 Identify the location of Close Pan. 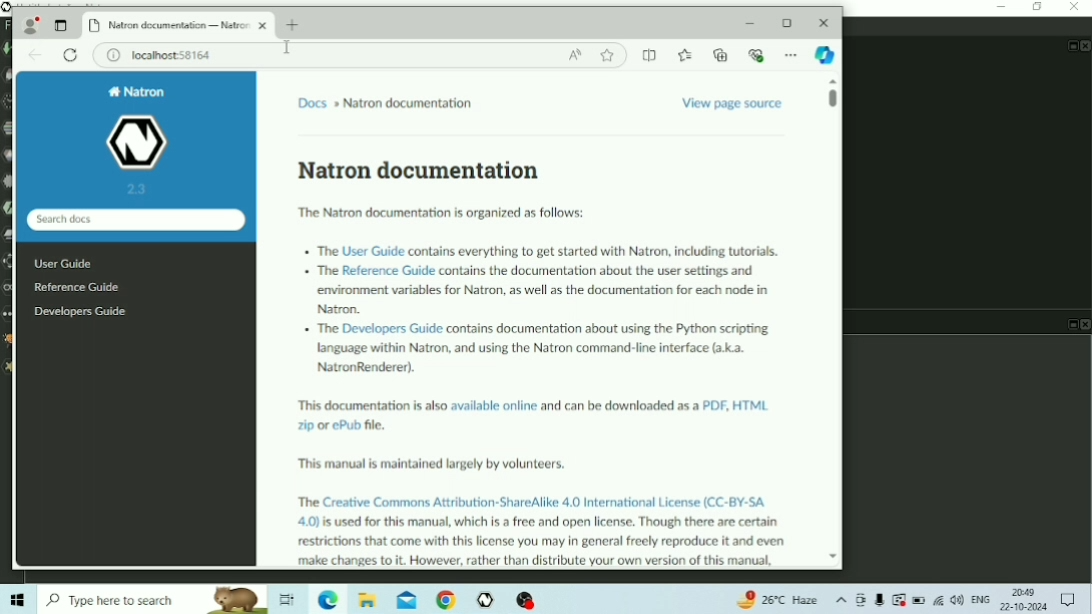
(1085, 46).